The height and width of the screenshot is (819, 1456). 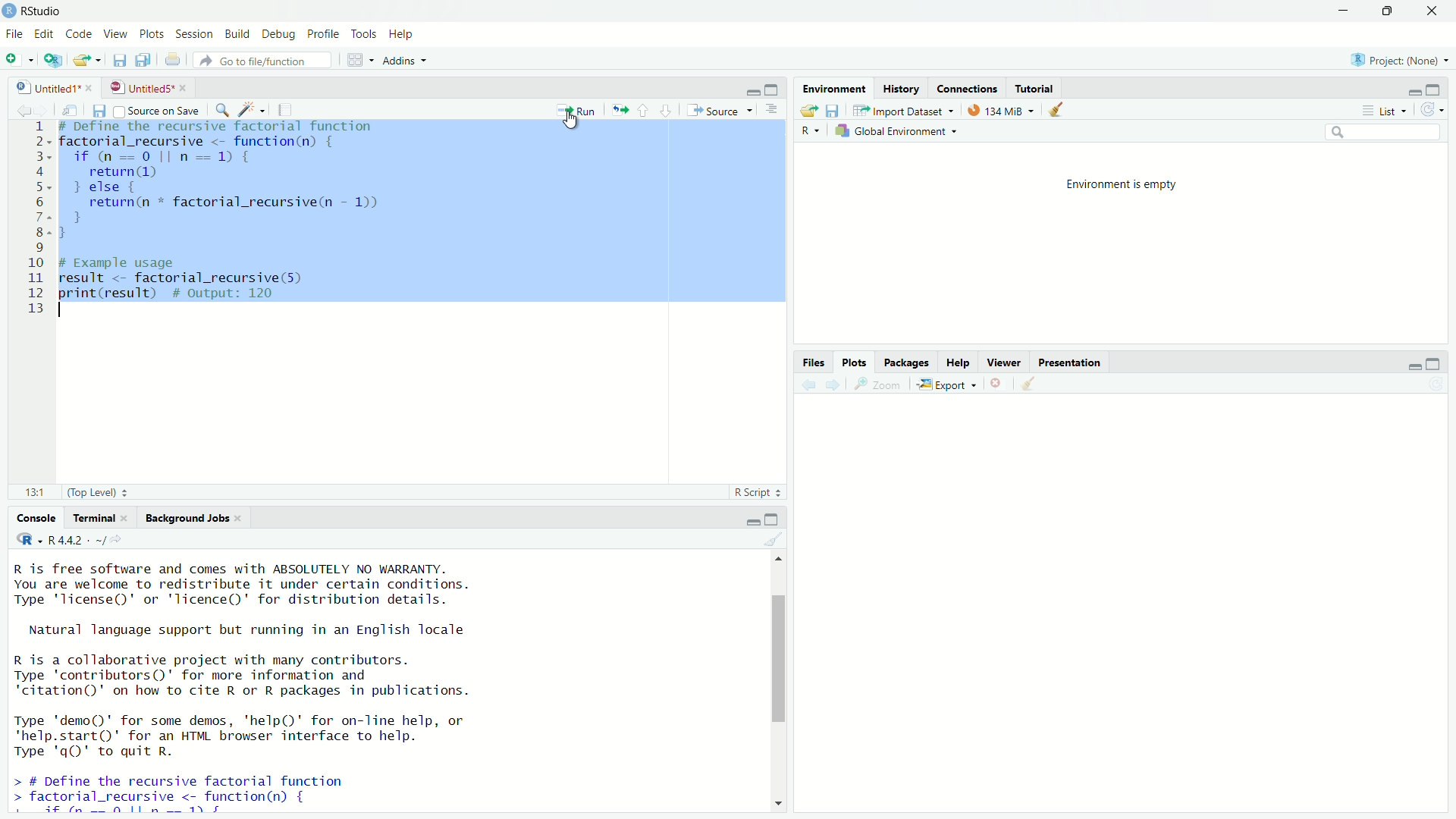 I want to click on Clear console (Ctrl +L), so click(x=780, y=540).